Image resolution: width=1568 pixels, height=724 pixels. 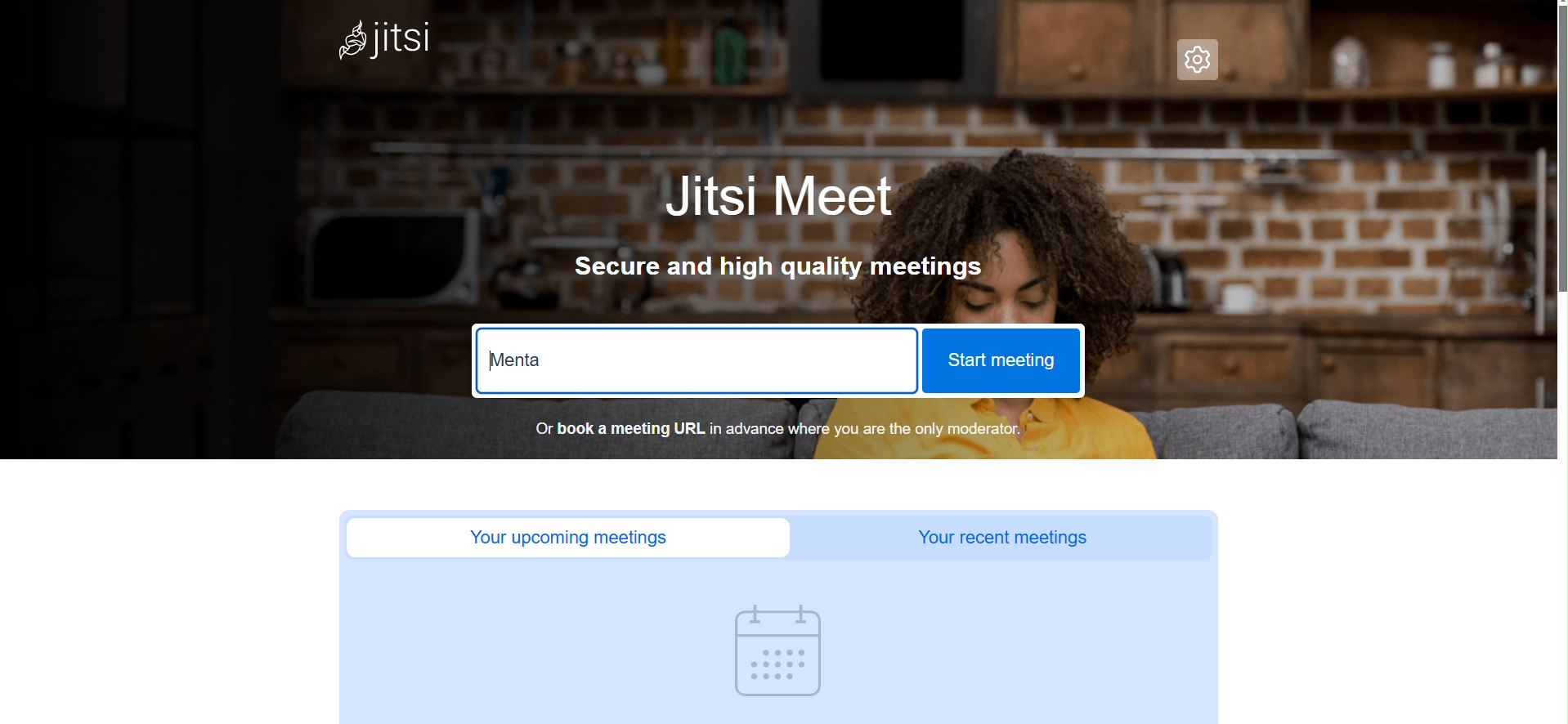 What do you see at coordinates (380, 39) in the screenshot?
I see `Jitsi` at bounding box center [380, 39].